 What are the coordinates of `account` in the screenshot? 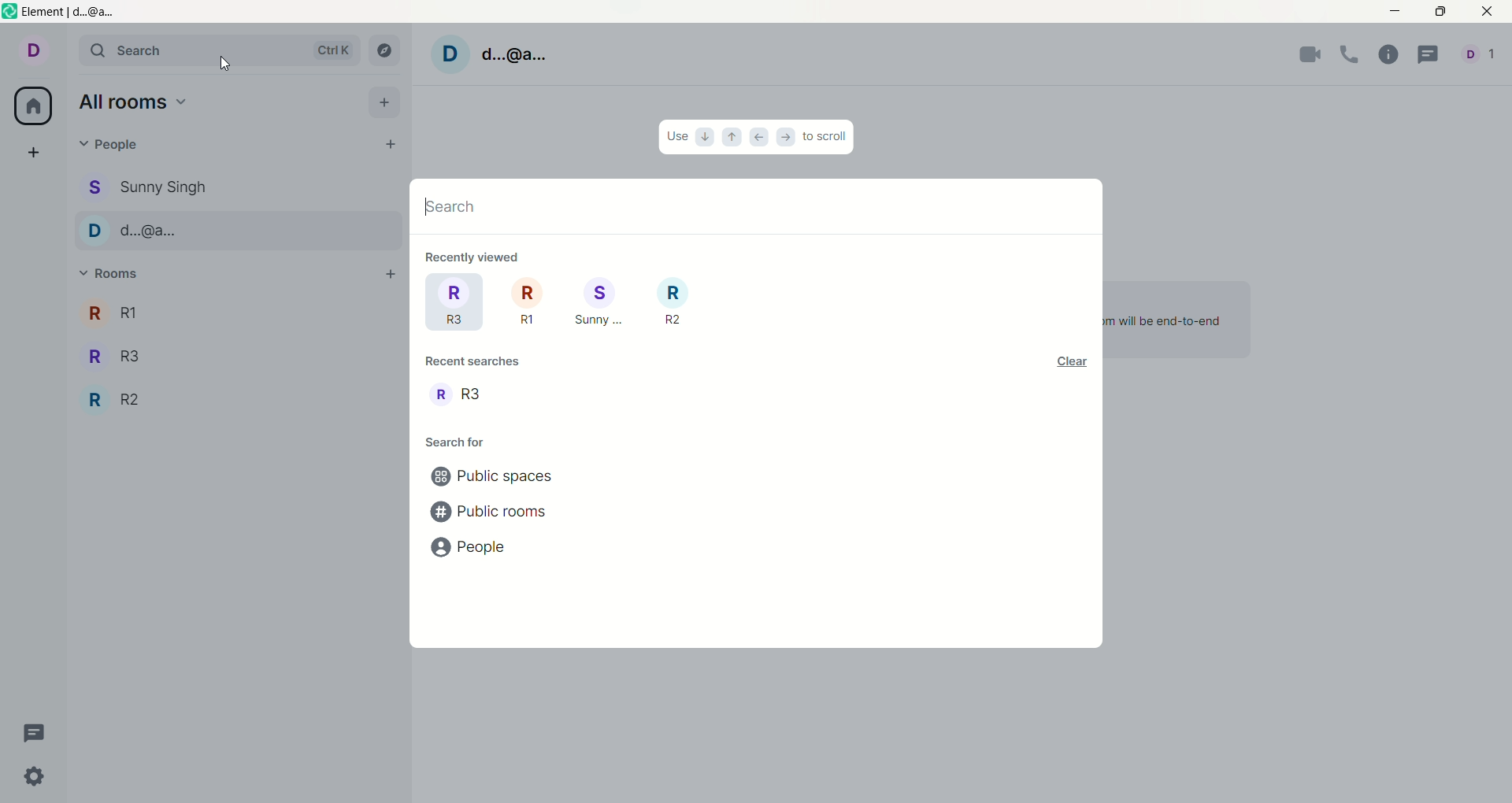 It's located at (1478, 54).